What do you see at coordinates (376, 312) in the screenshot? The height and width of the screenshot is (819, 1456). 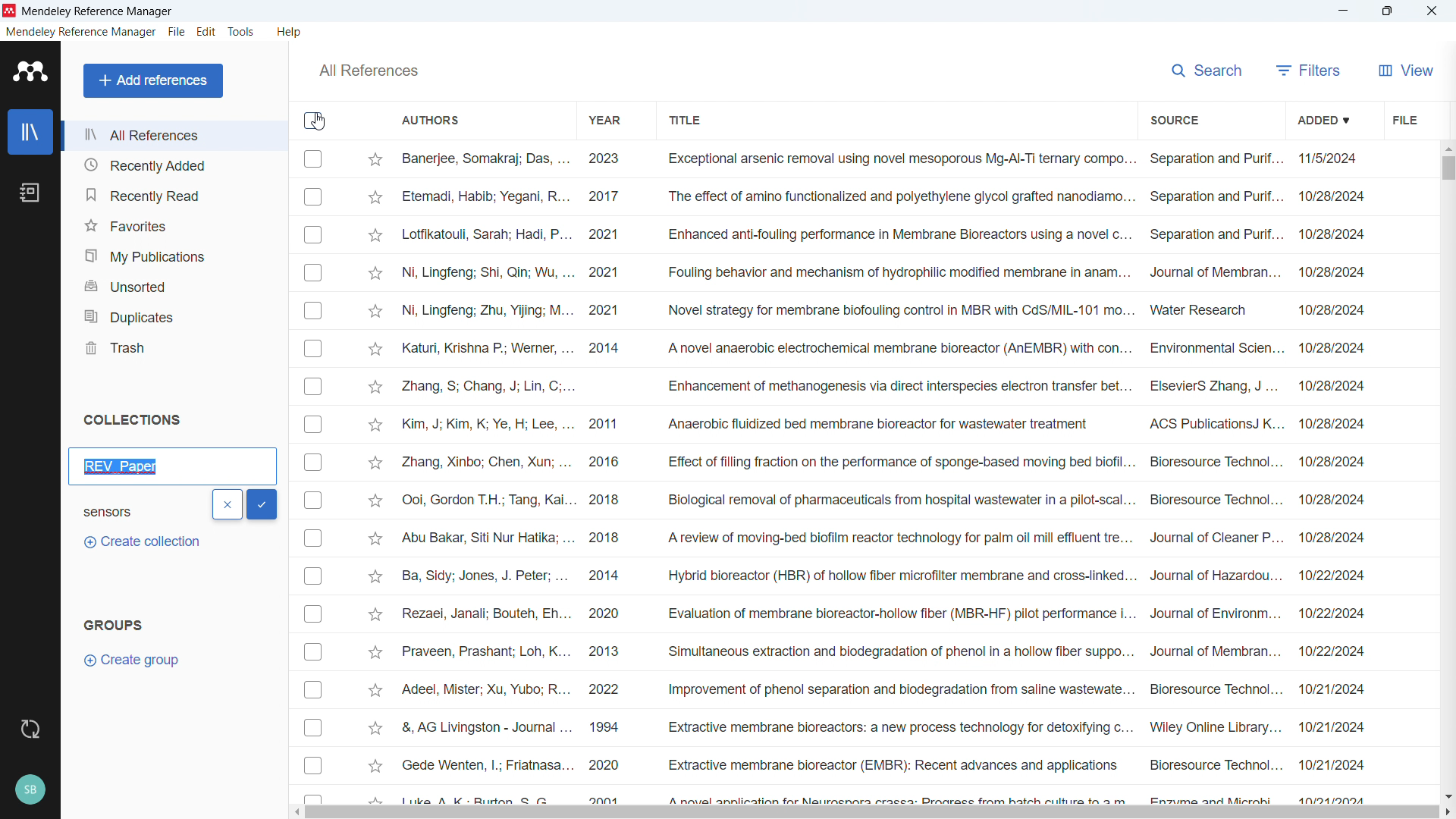 I see `Star mark respective publication` at bounding box center [376, 312].